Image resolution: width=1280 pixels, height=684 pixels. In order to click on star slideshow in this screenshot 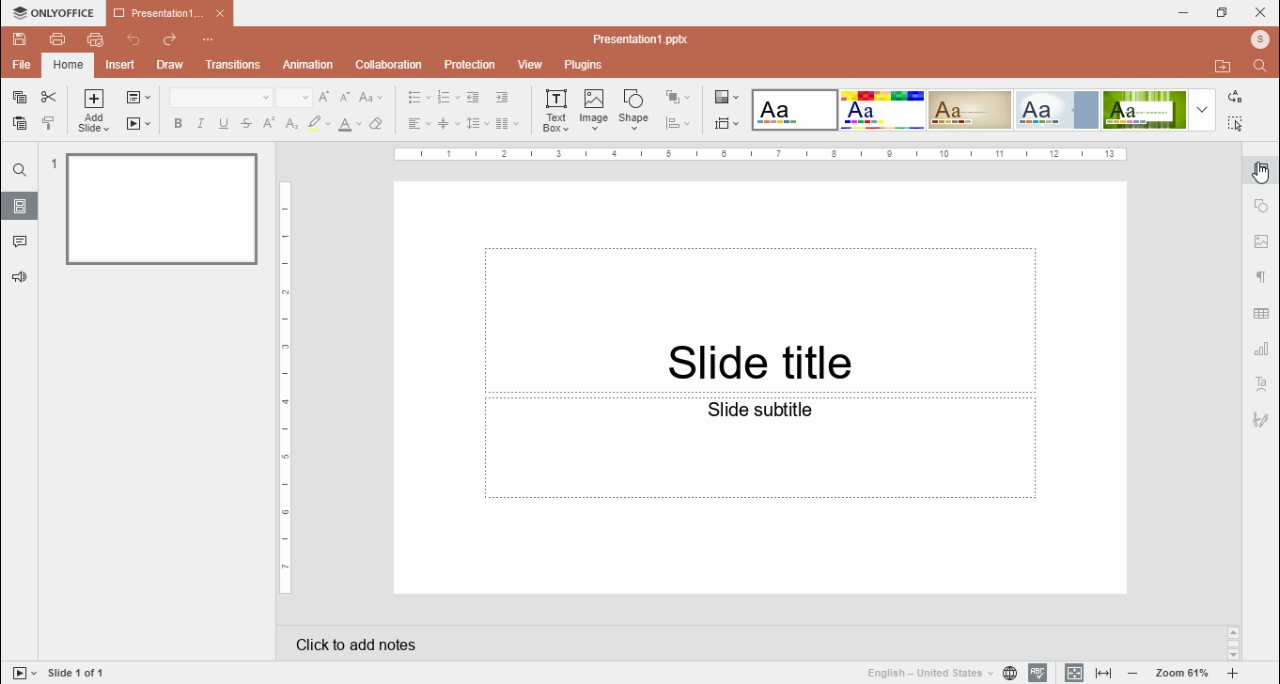, I will do `click(139, 124)`.